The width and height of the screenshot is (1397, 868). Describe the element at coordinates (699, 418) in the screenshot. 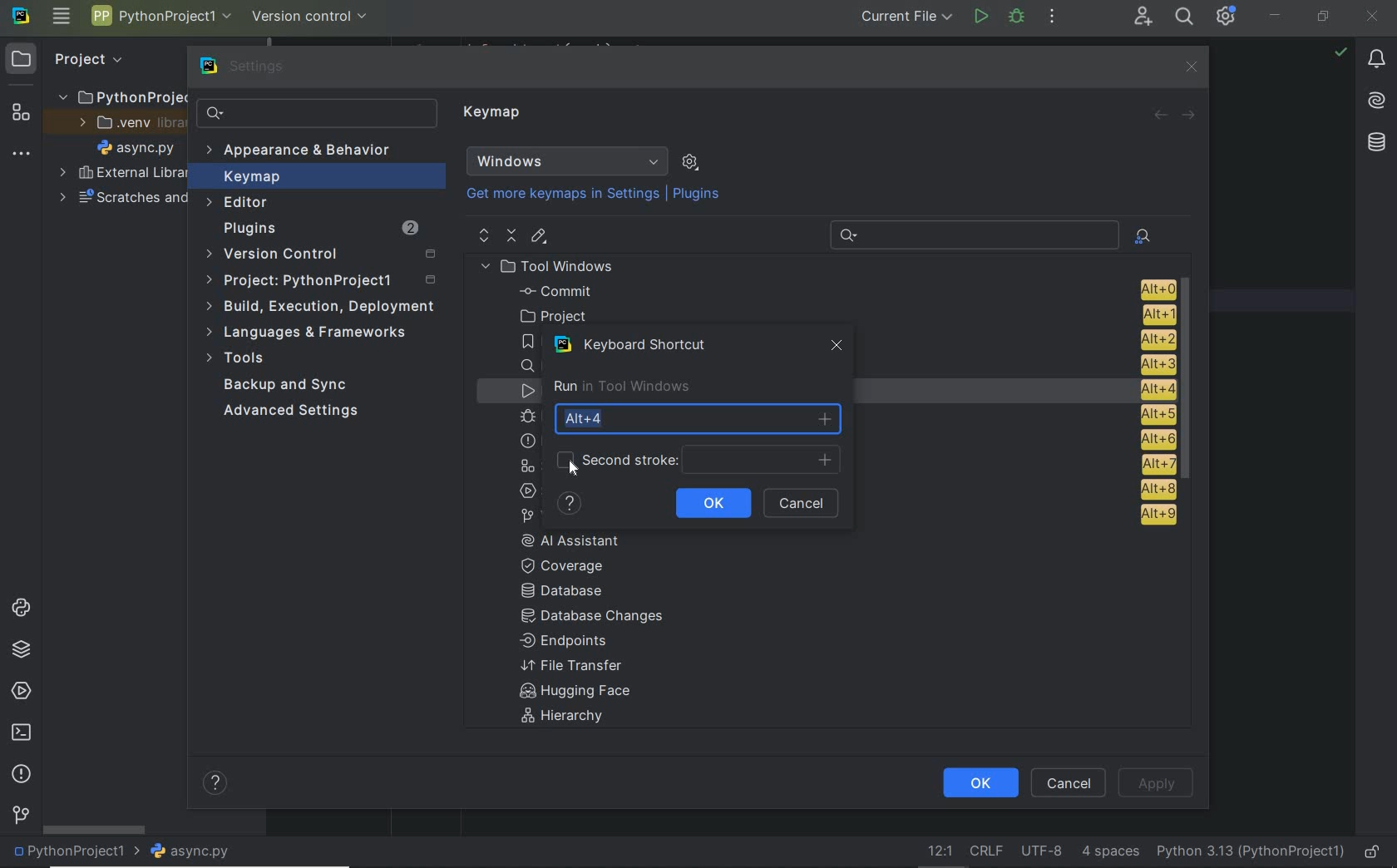

I see `Alt+$` at that location.